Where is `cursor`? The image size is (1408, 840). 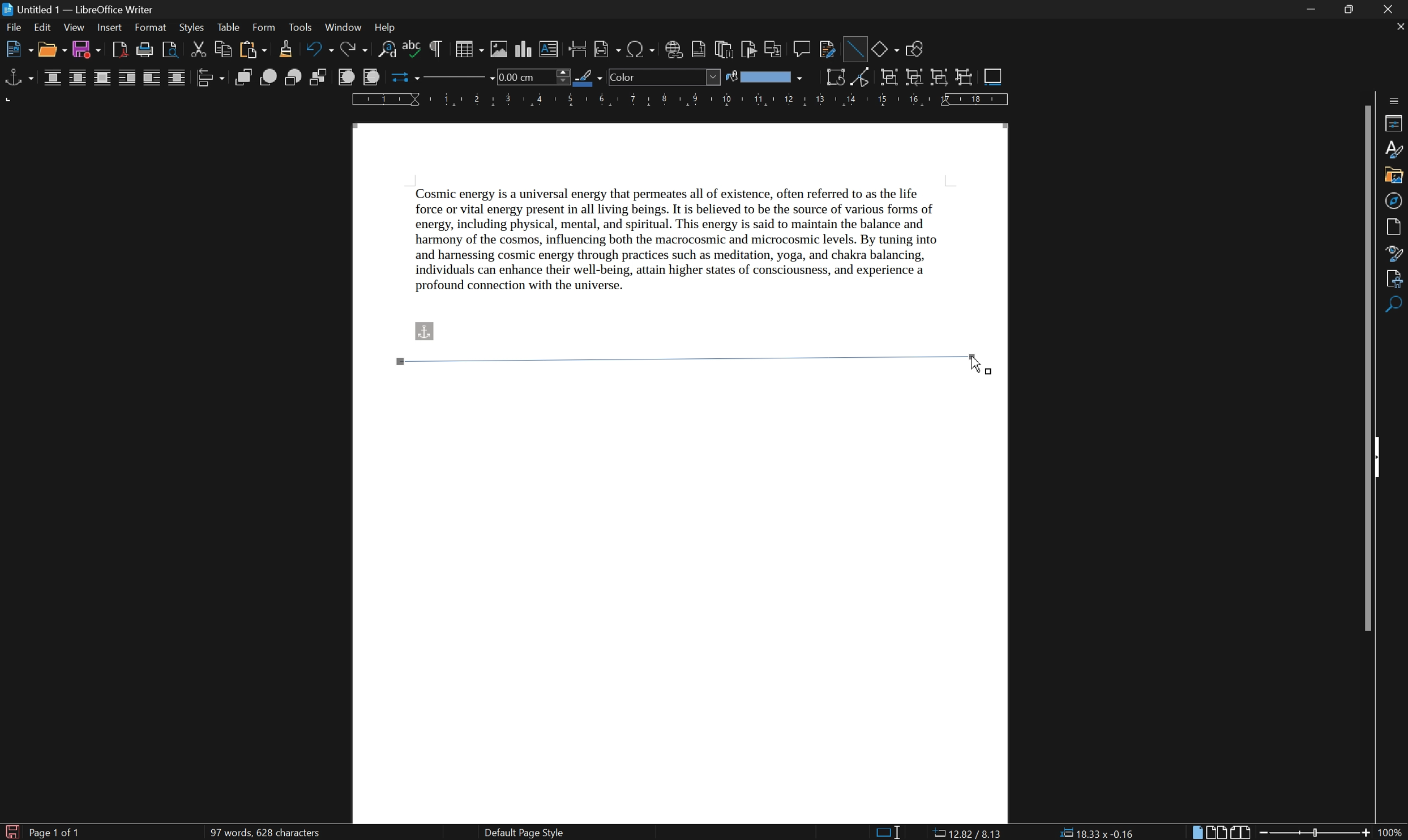 cursor is located at coordinates (979, 365).